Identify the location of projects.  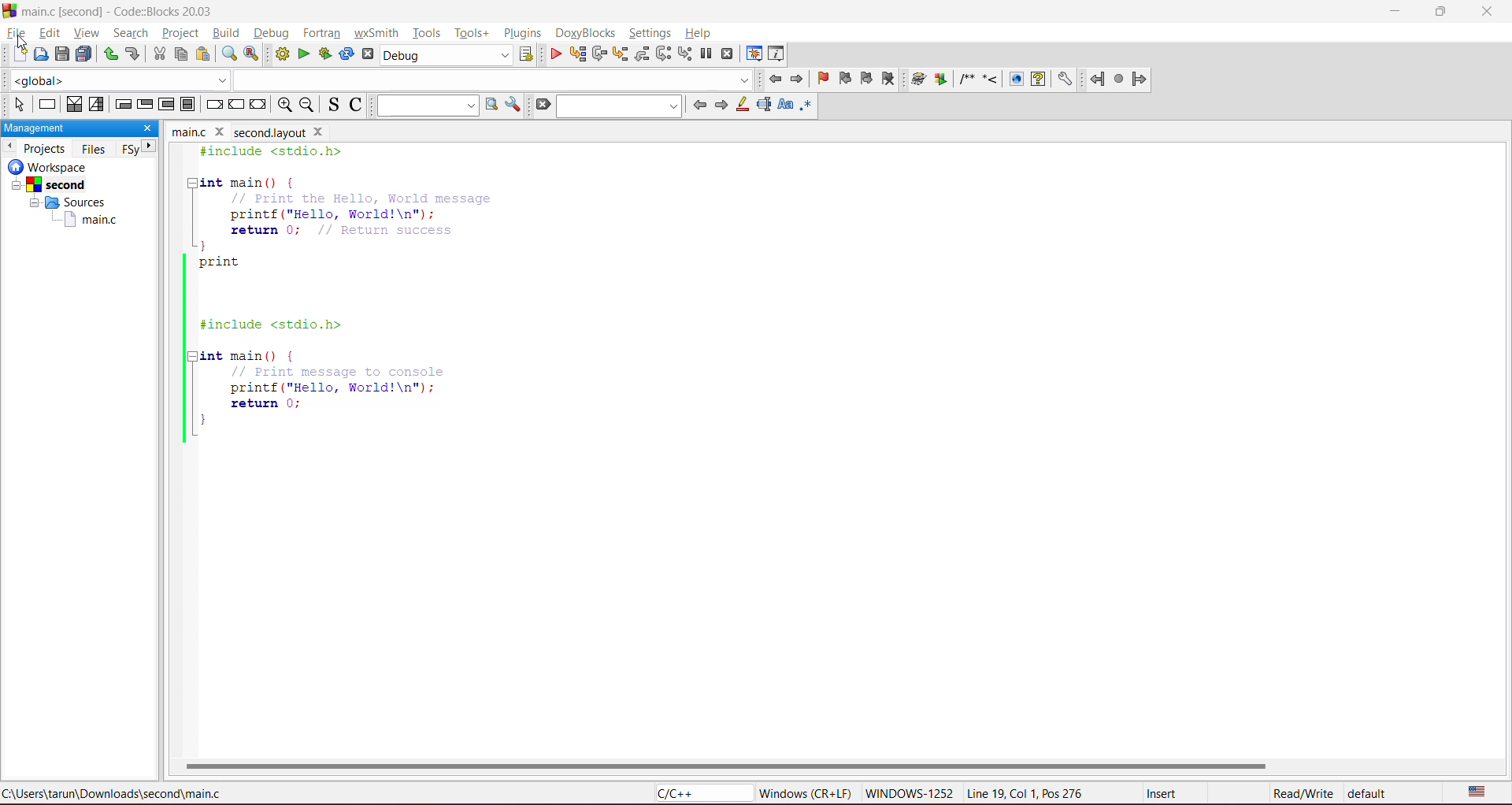
(46, 148).